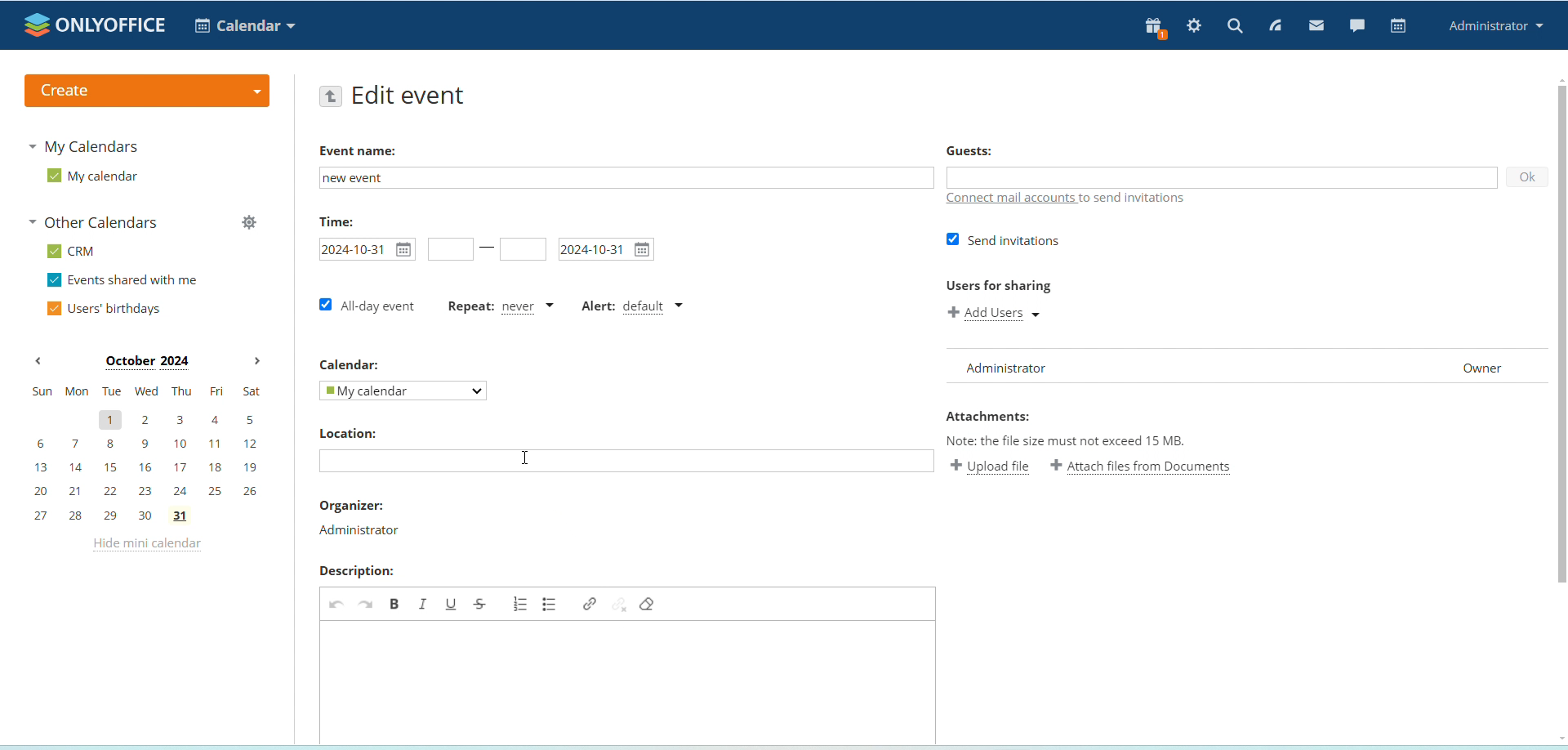 The height and width of the screenshot is (750, 1568). Describe the element at coordinates (1012, 199) in the screenshot. I see `connect mail accounts` at that location.